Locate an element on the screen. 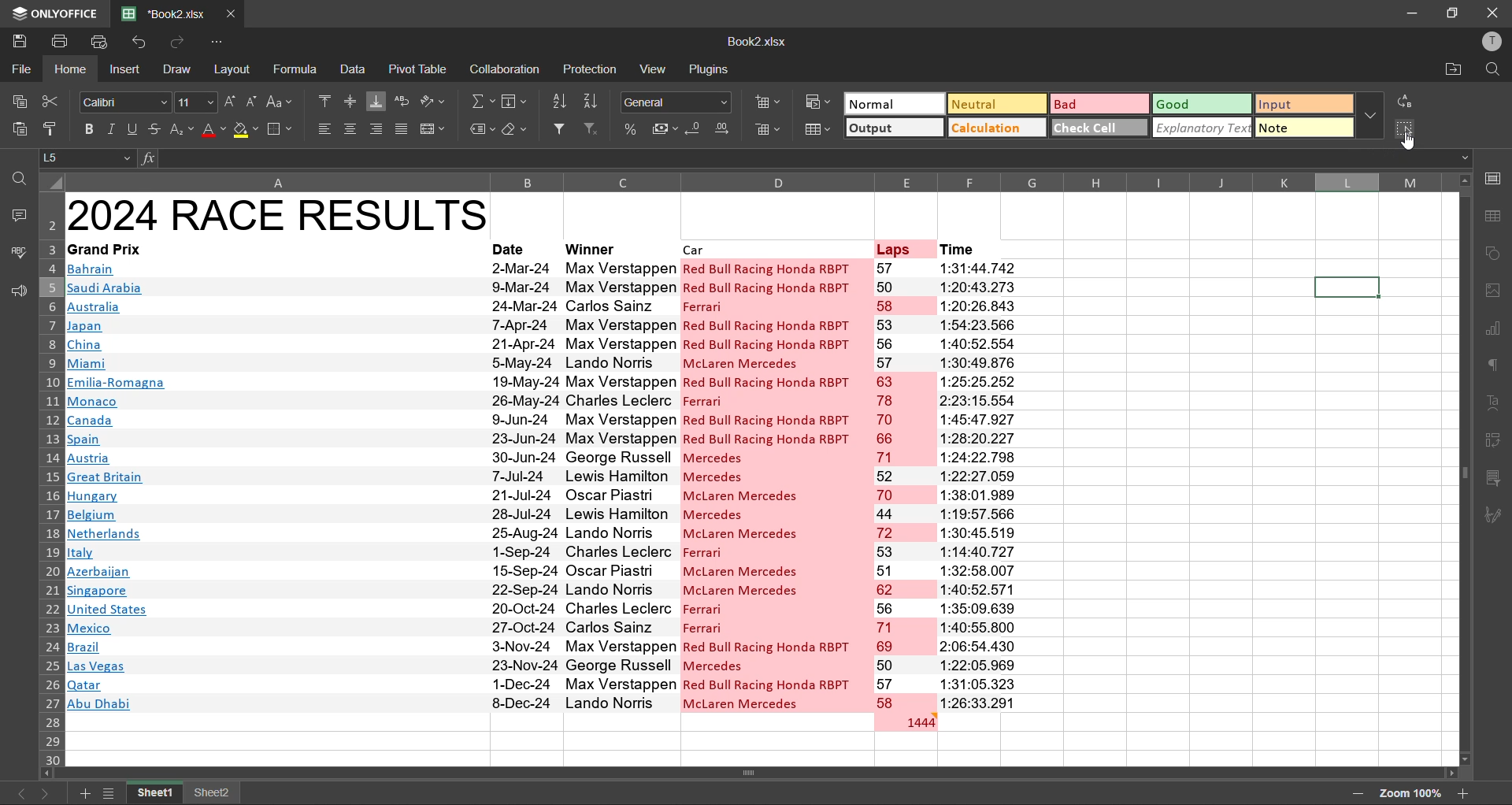  strikethrough is located at coordinates (155, 132).